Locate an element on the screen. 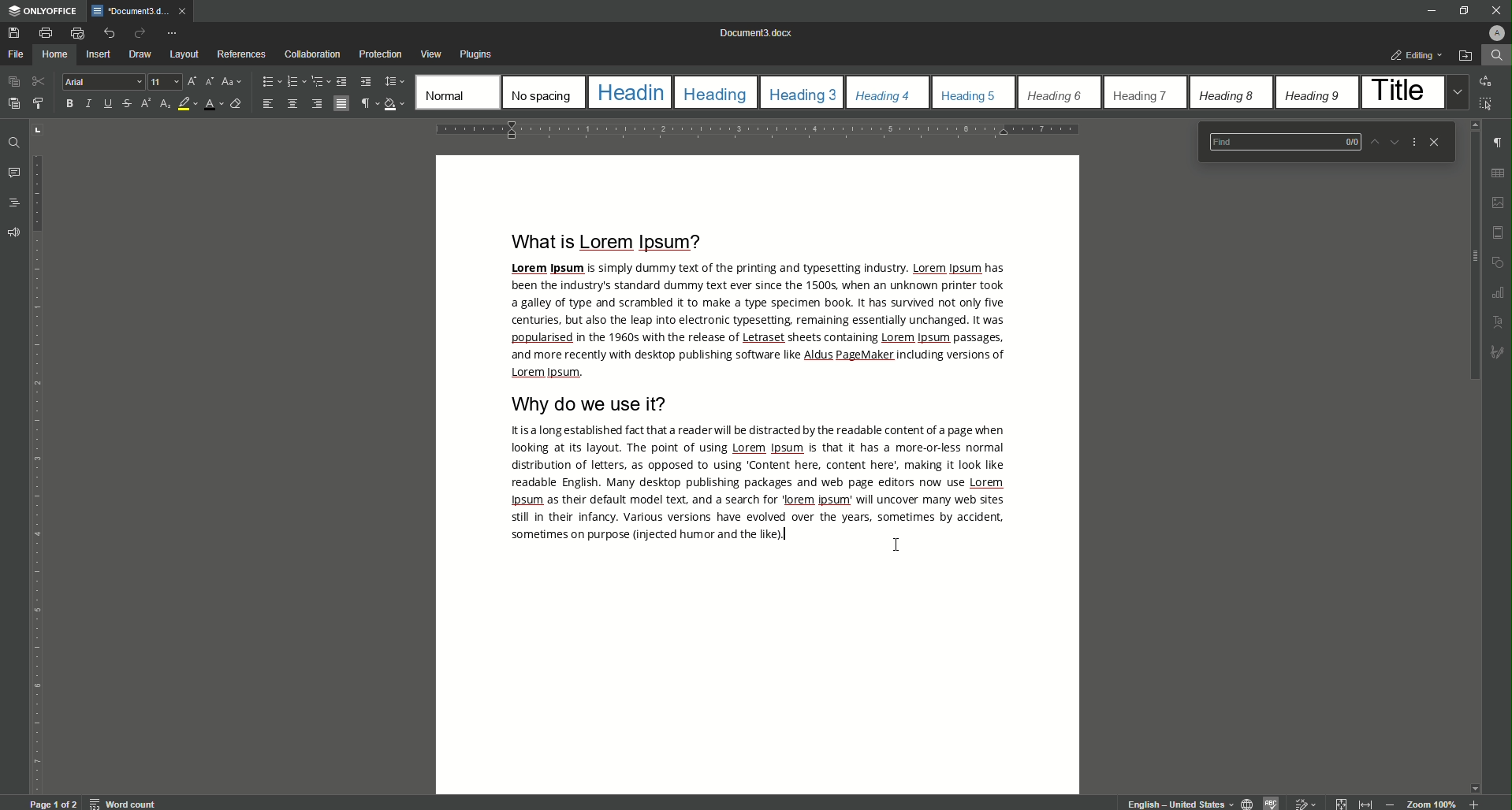 This screenshot has height=810, width=1512. Text is located at coordinates (762, 483).